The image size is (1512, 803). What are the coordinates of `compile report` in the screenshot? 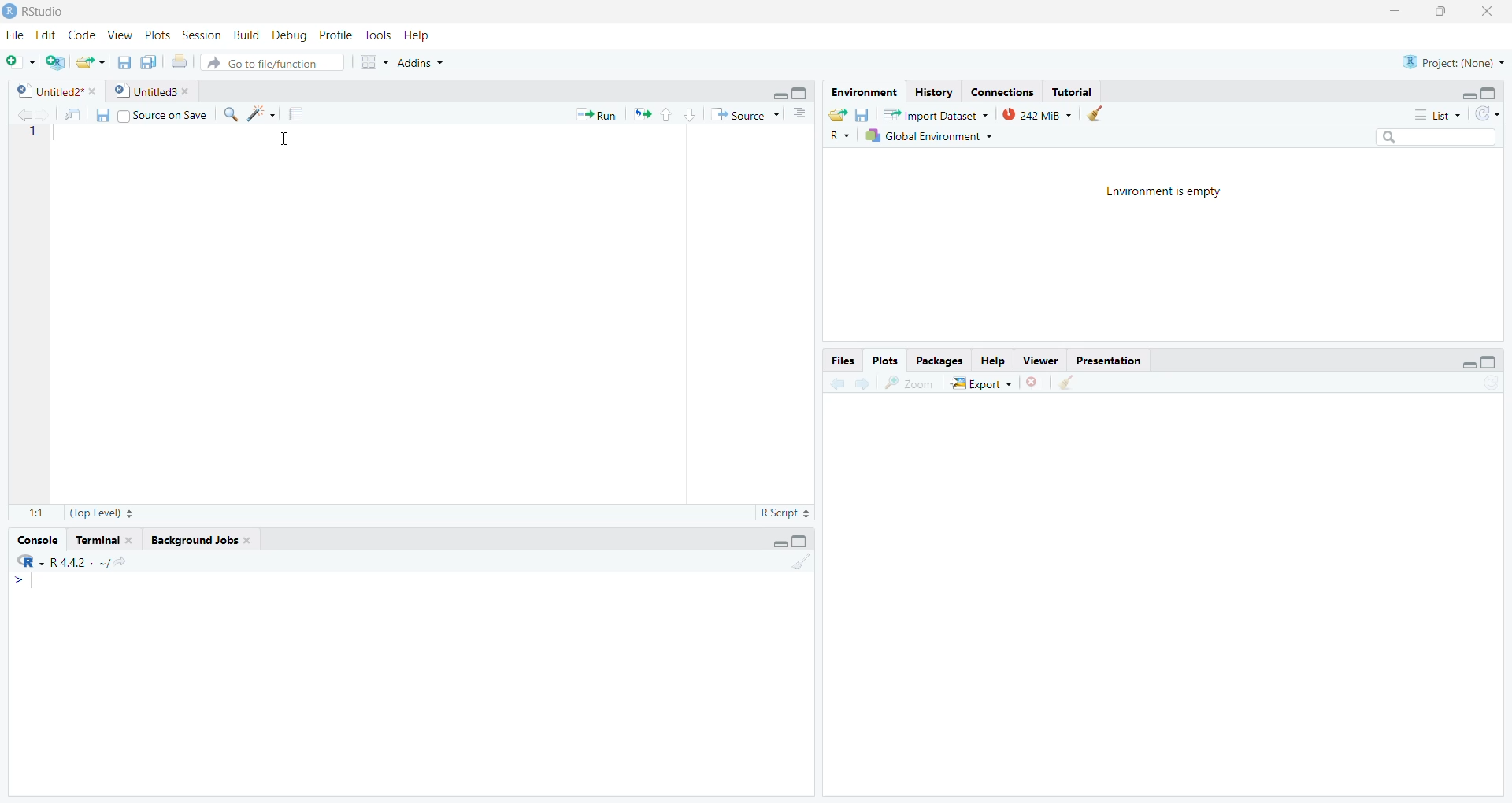 It's located at (295, 114).